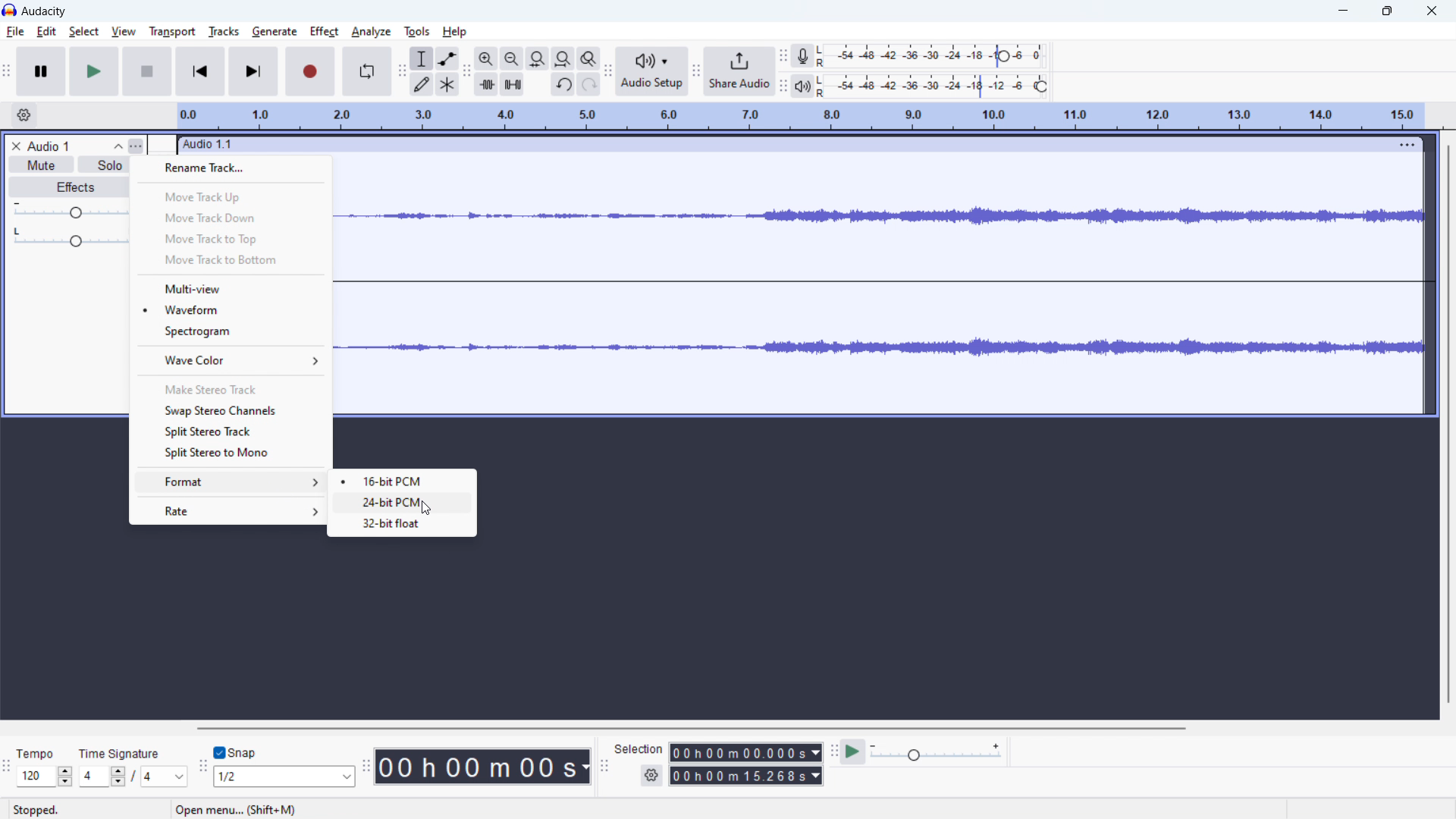  Describe the element at coordinates (94, 71) in the screenshot. I see `play` at that location.